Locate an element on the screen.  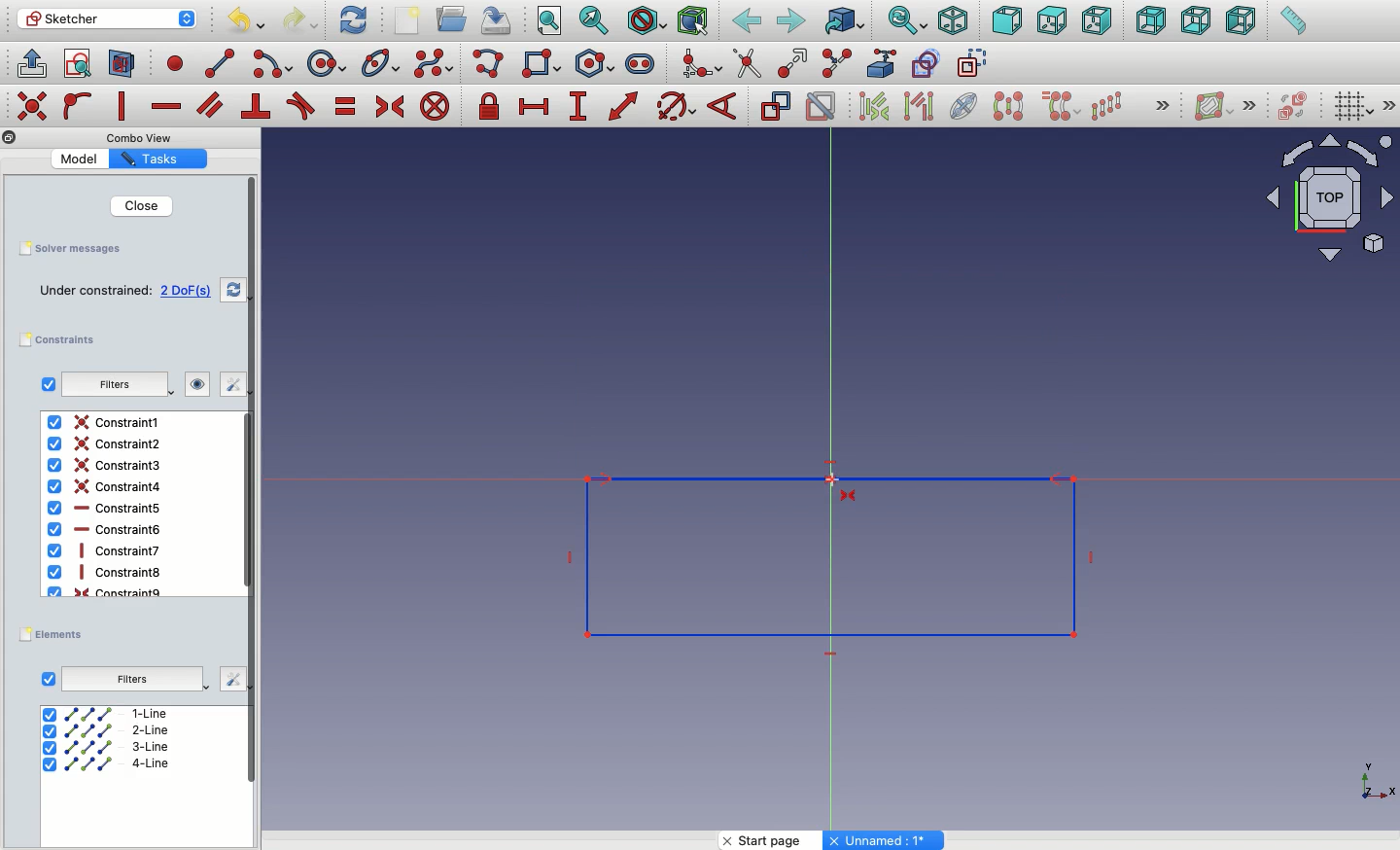
4-line is located at coordinates (107, 763).